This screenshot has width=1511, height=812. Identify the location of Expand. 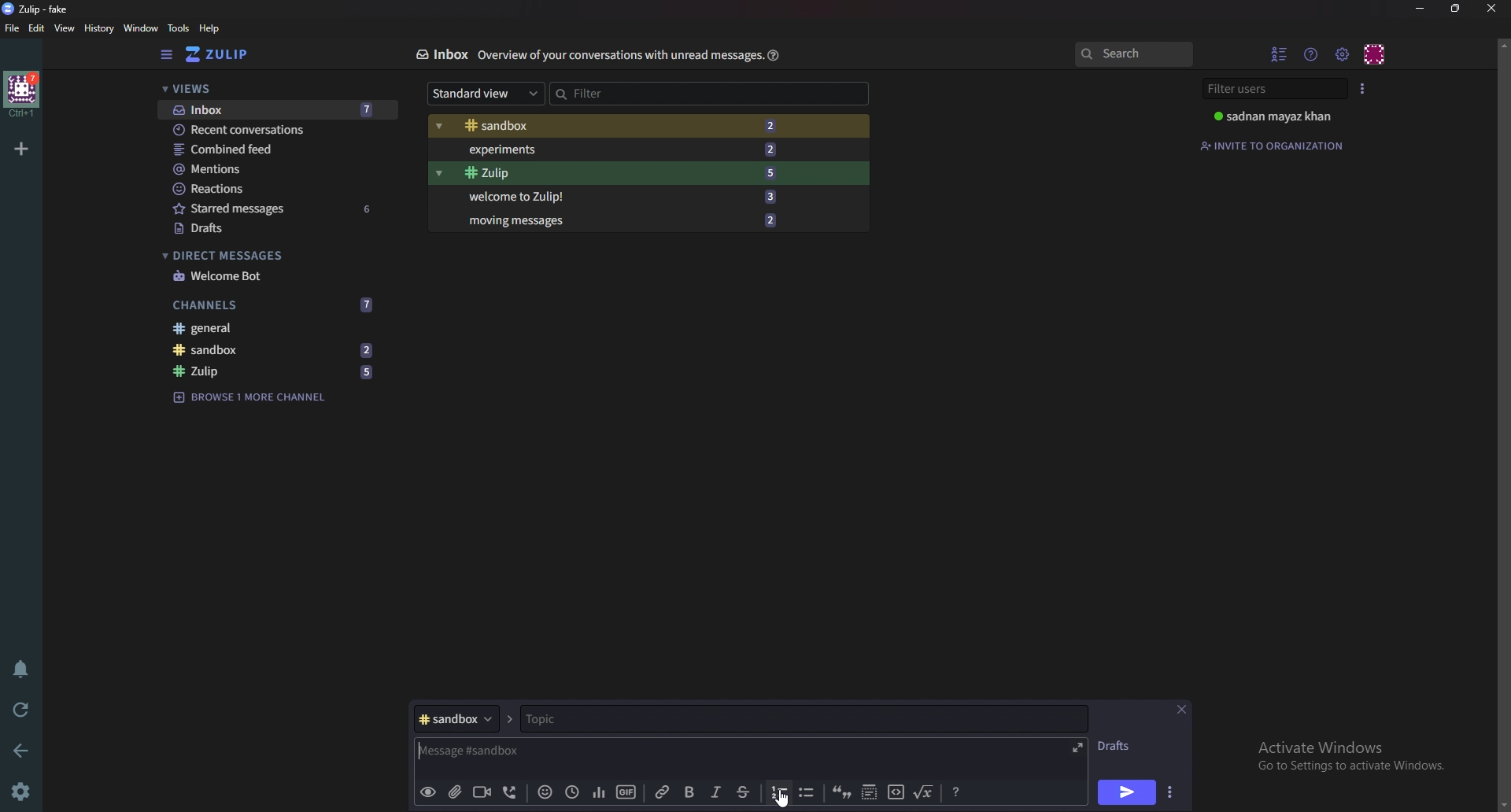
(1076, 746).